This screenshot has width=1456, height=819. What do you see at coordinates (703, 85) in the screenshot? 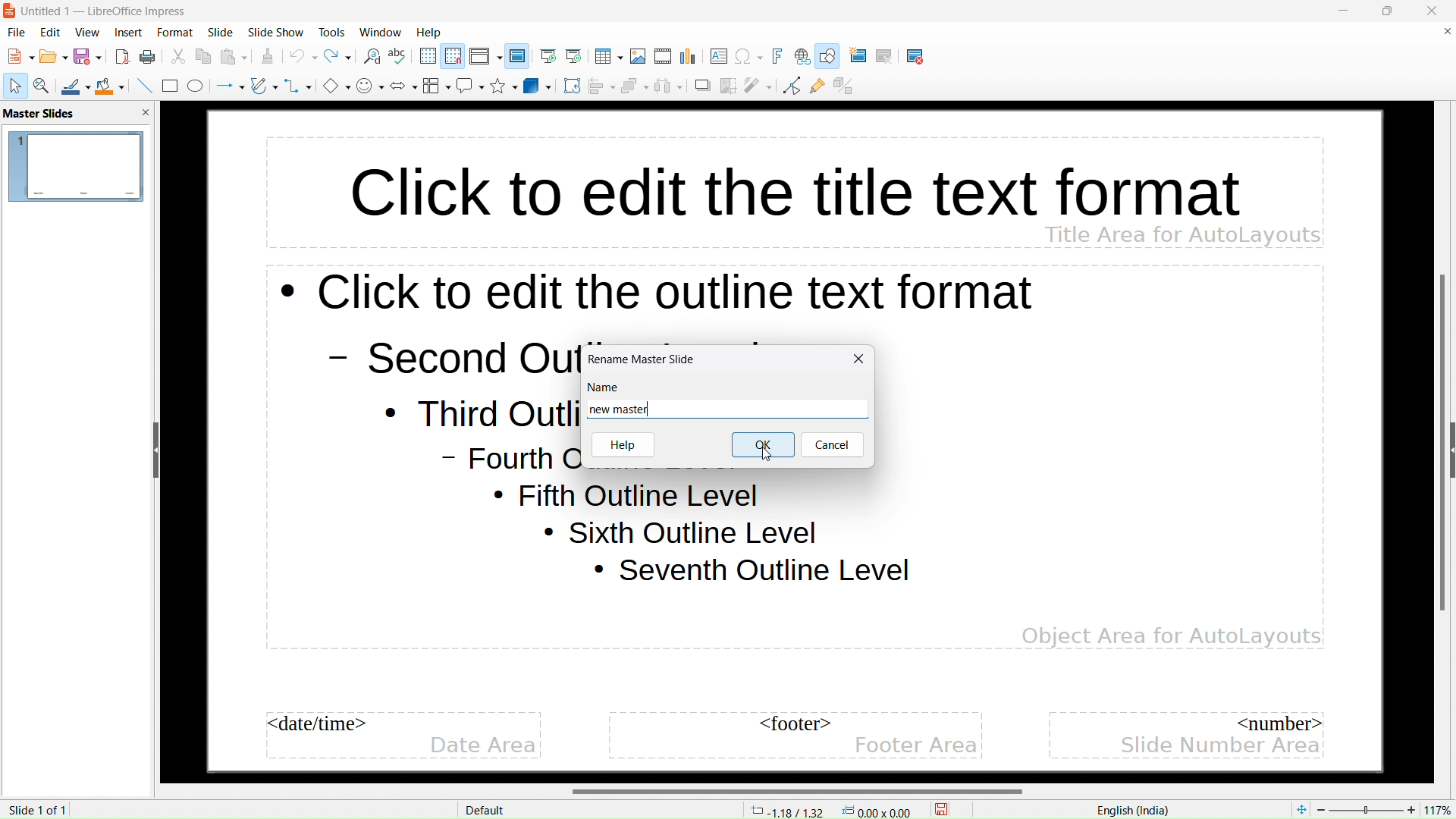
I see `shadow` at bounding box center [703, 85].